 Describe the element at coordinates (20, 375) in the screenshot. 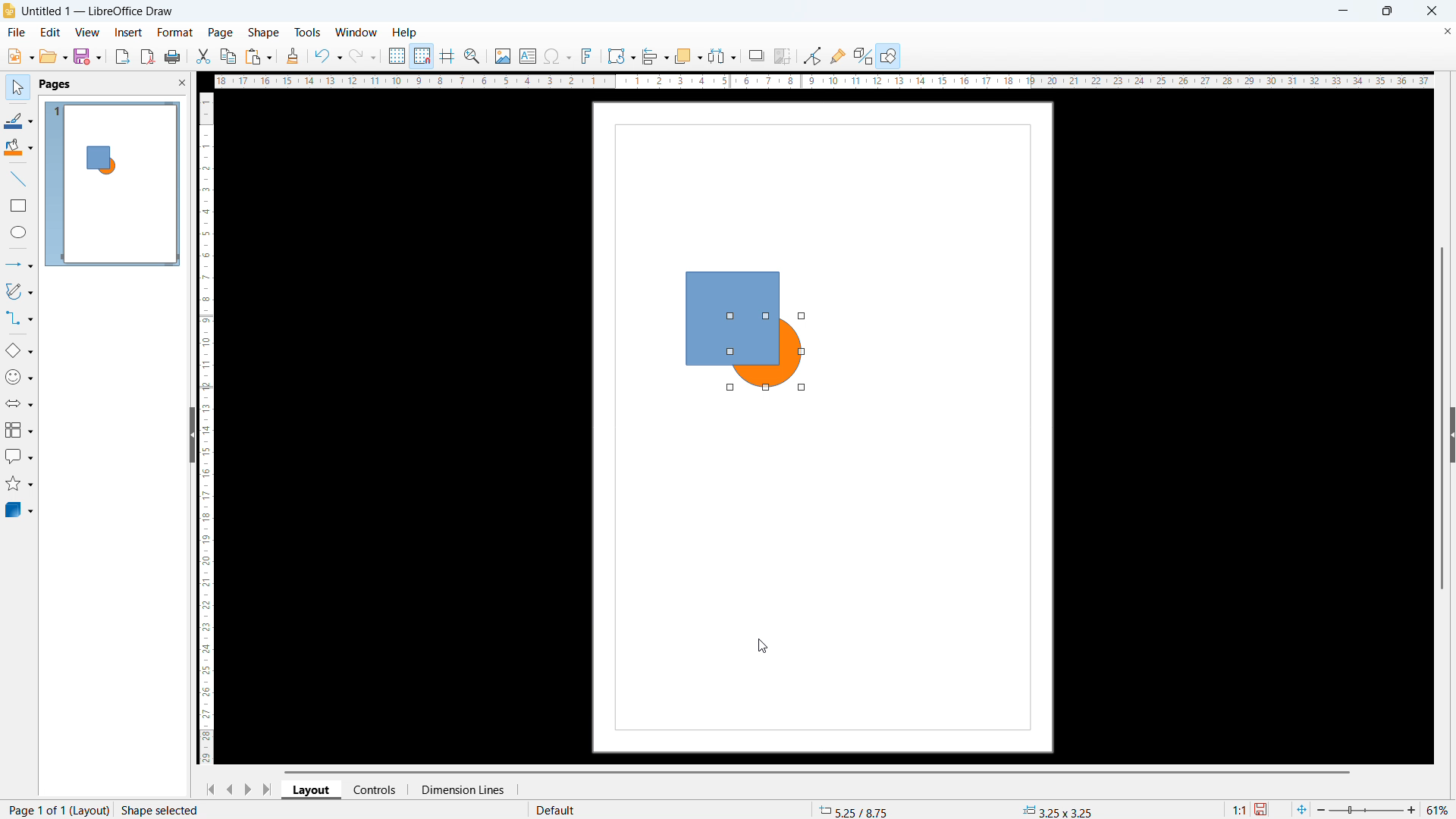

I see `Symbol shapes ` at that location.